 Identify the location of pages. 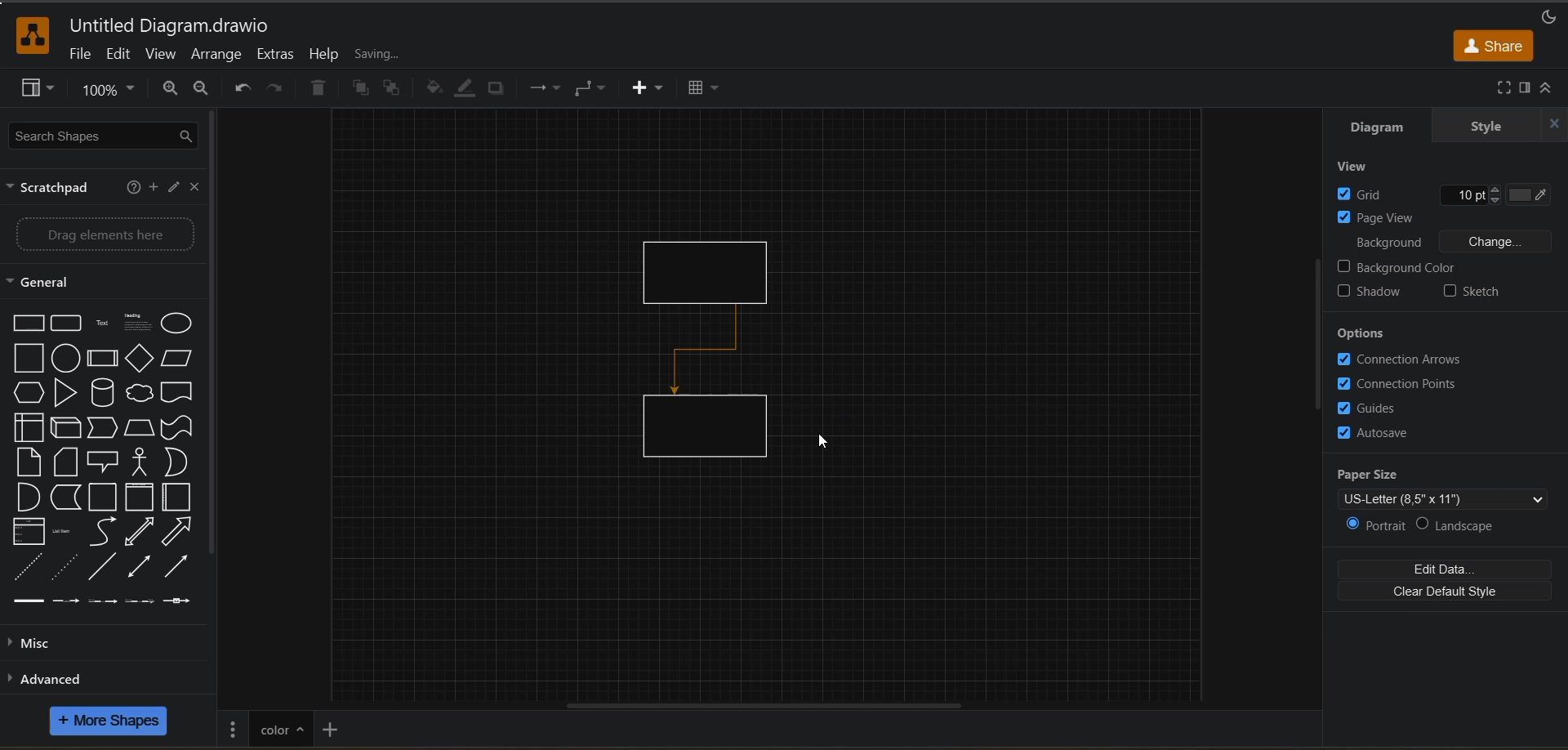
(234, 727).